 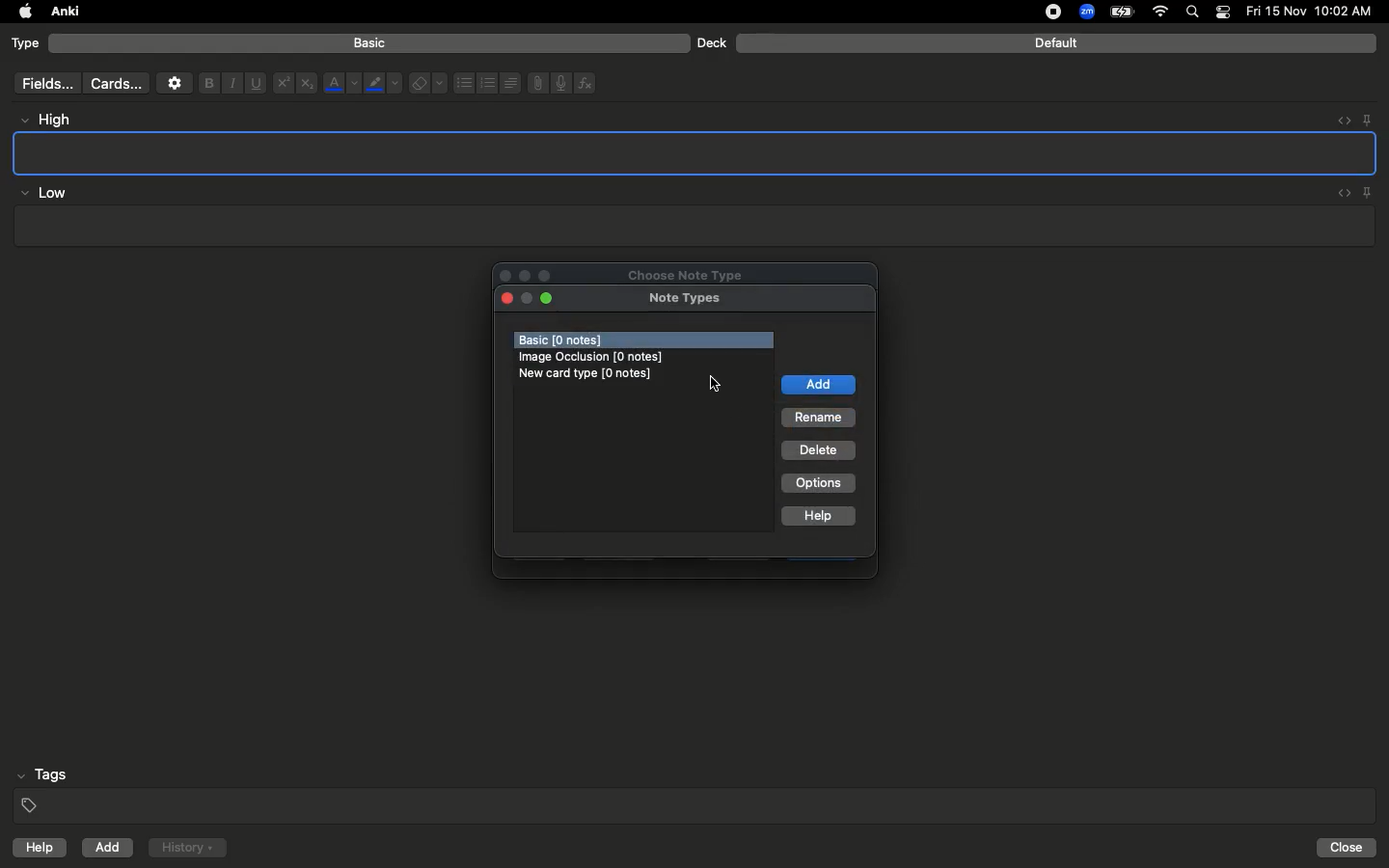 What do you see at coordinates (586, 83) in the screenshot?
I see `Function` at bounding box center [586, 83].